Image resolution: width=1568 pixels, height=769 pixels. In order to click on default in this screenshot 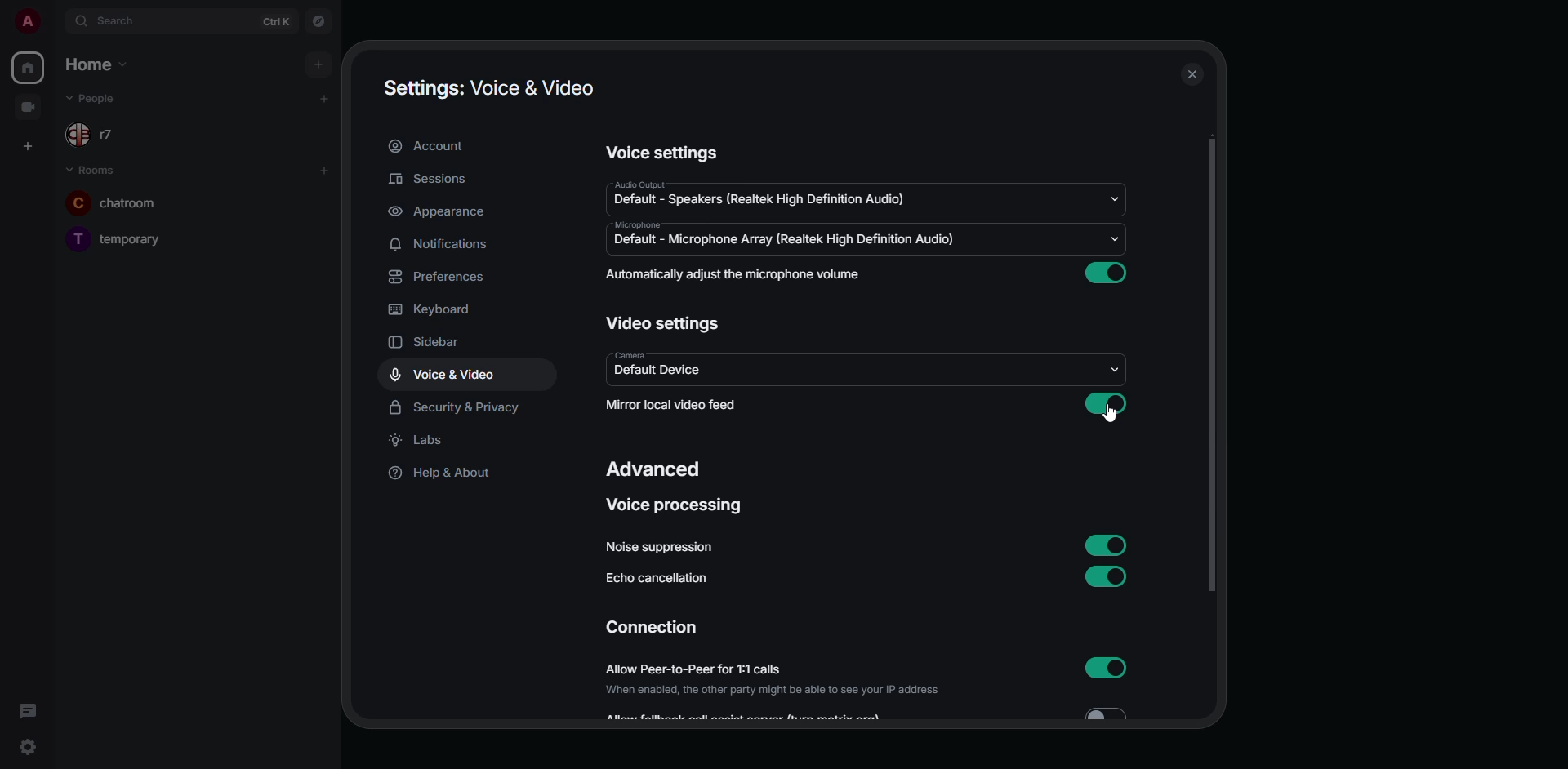, I will do `click(757, 202)`.